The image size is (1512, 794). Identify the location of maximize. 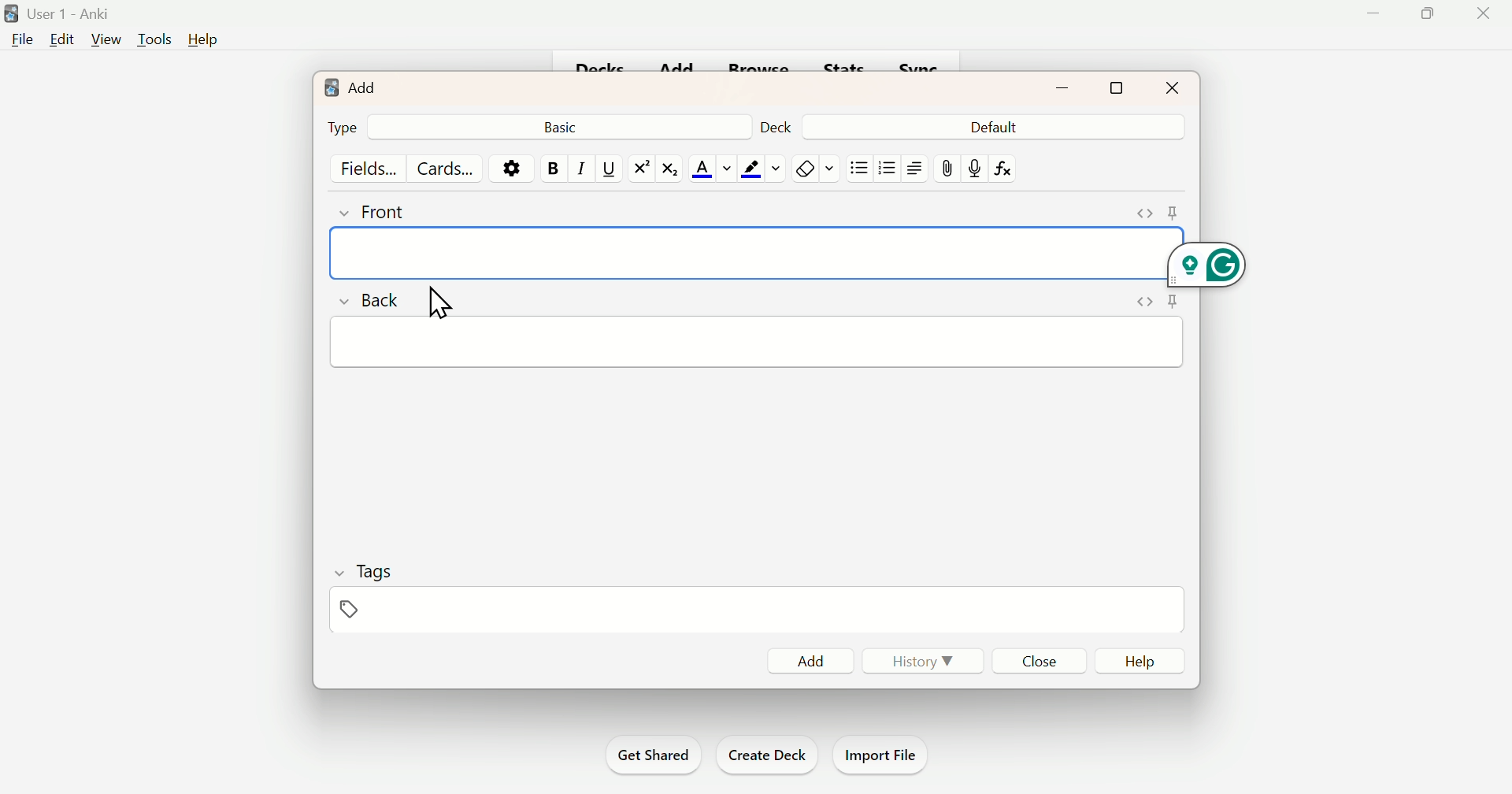
(1115, 89).